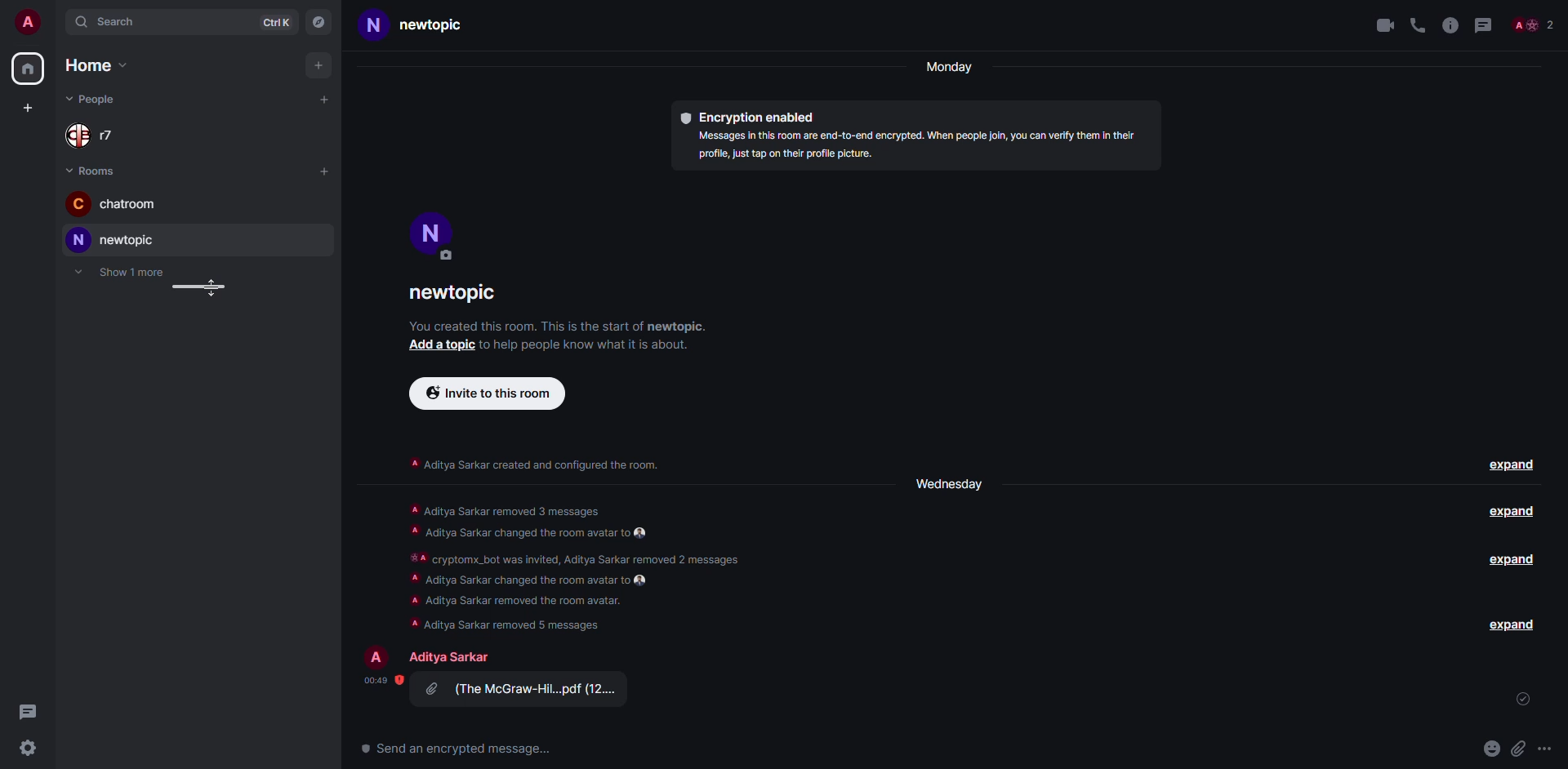 The image size is (1568, 769). What do you see at coordinates (572, 326) in the screenshot?
I see `‘You created this room. This is the start of newtopic.` at bounding box center [572, 326].